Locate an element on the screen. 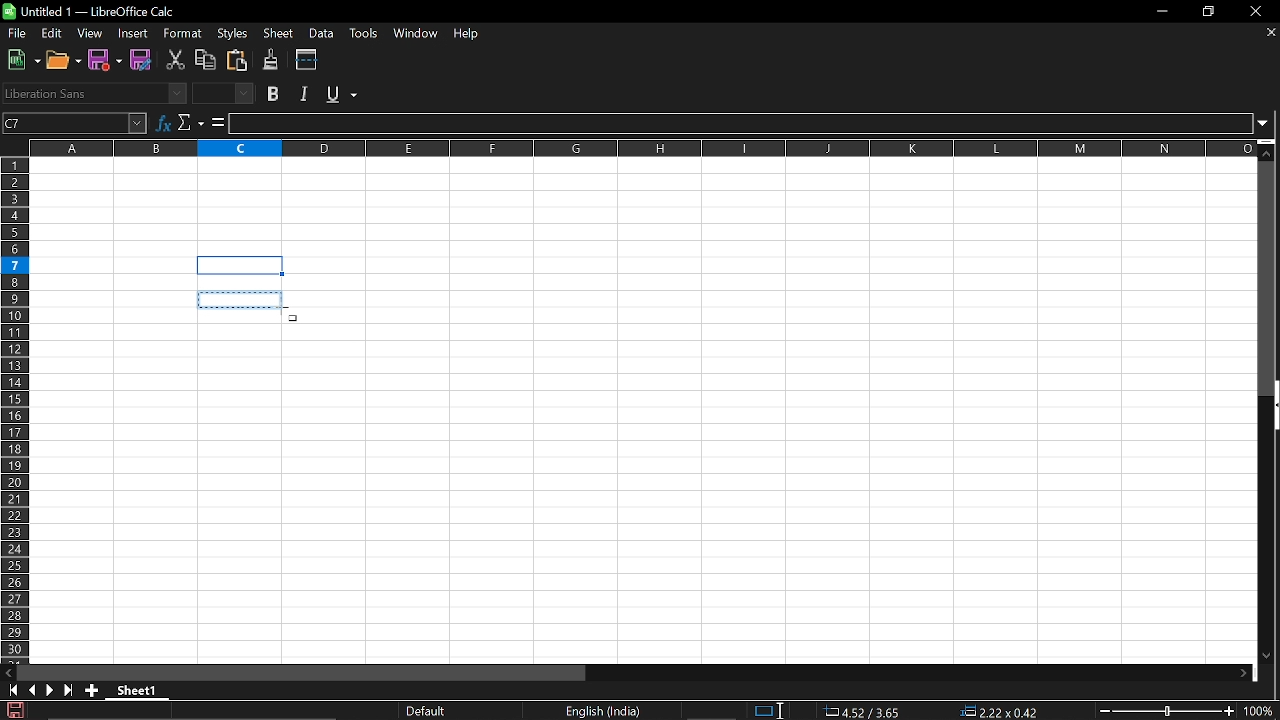  Move right is located at coordinates (1243, 674).